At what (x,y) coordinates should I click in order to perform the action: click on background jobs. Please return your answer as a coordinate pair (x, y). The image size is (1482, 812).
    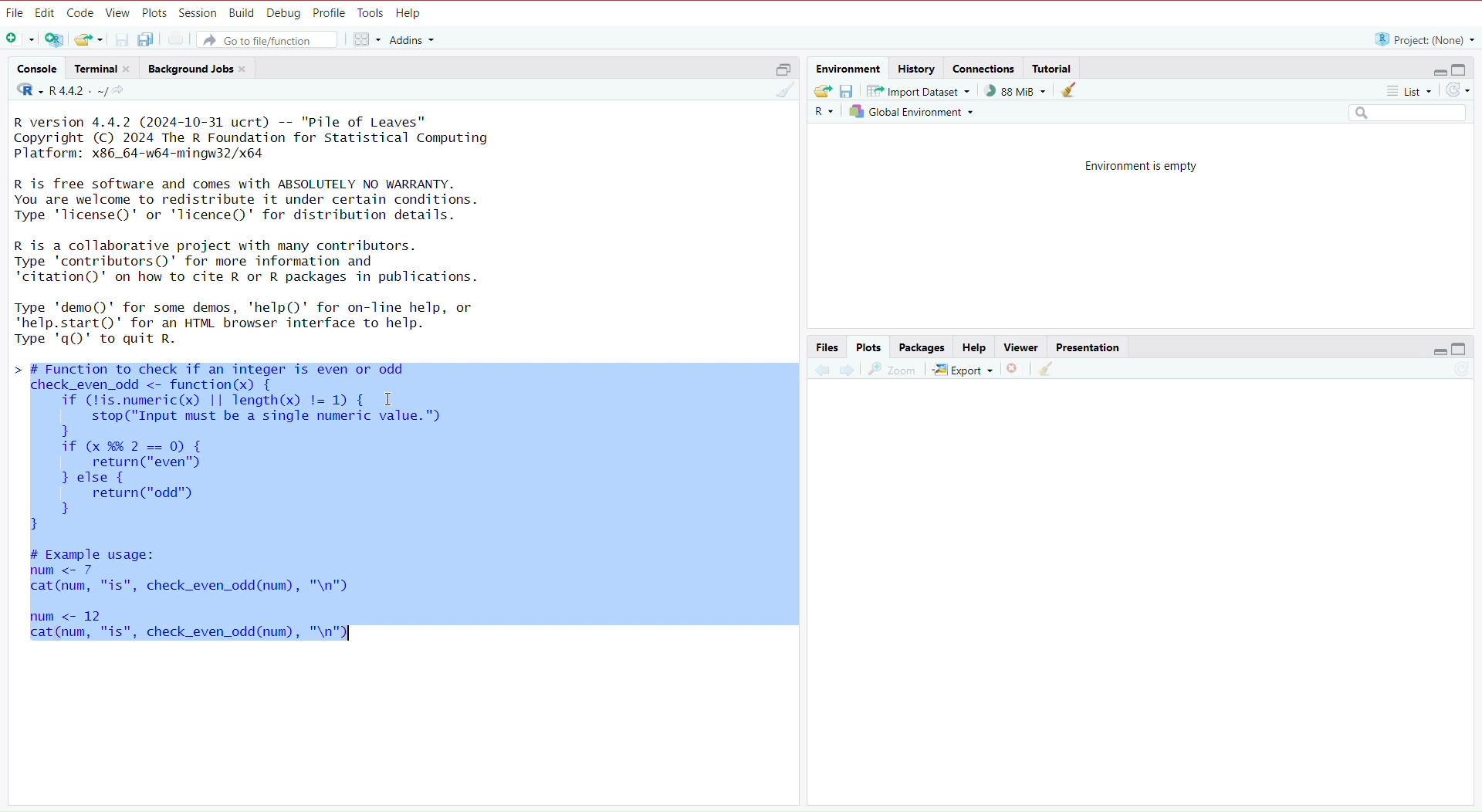
    Looking at the image, I should click on (200, 70).